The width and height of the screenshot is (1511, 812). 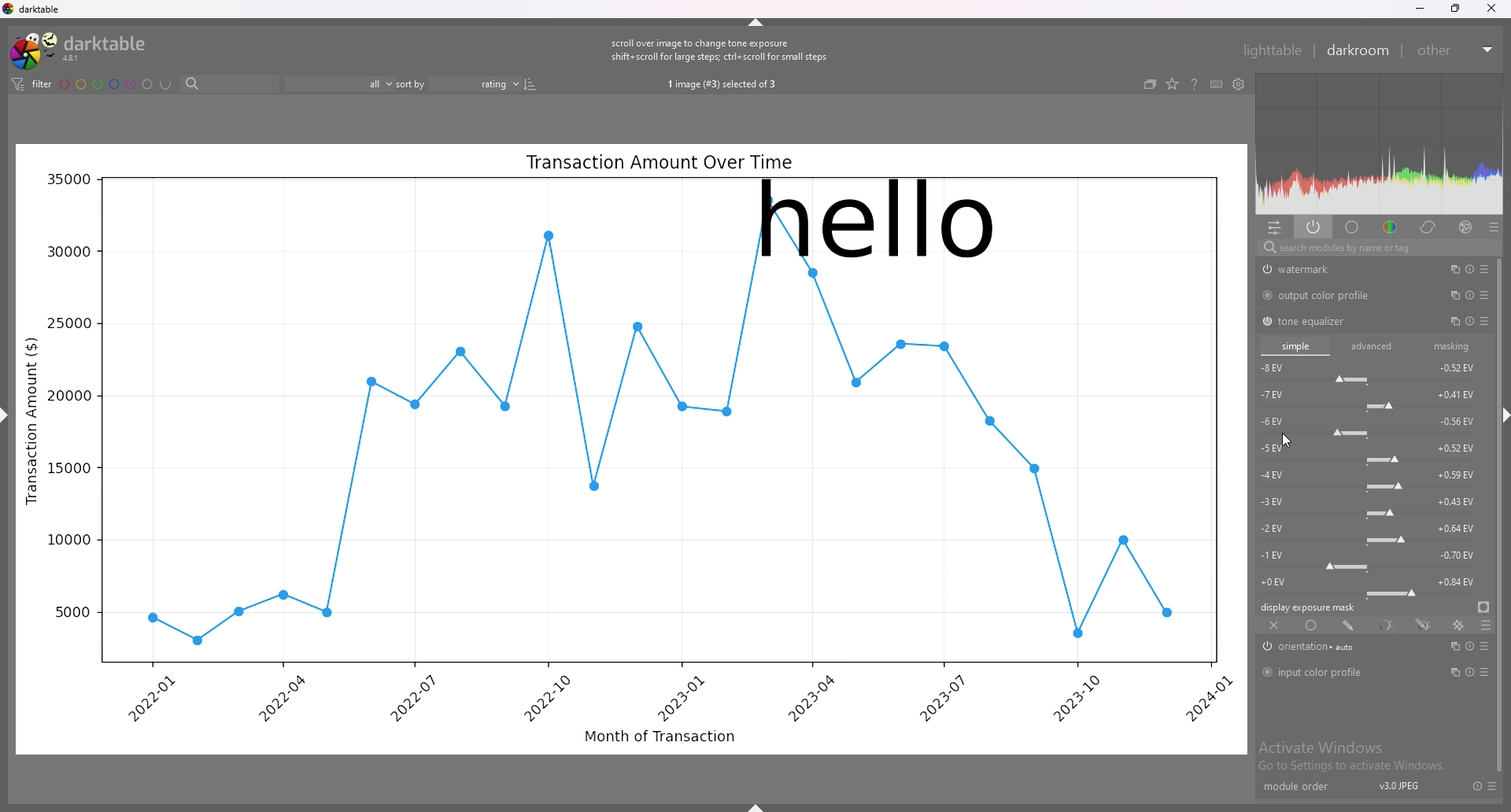 What do you see at coordinates (1274, 626) in the screenshot?
I see `off` at bounding box center [1274, 626].